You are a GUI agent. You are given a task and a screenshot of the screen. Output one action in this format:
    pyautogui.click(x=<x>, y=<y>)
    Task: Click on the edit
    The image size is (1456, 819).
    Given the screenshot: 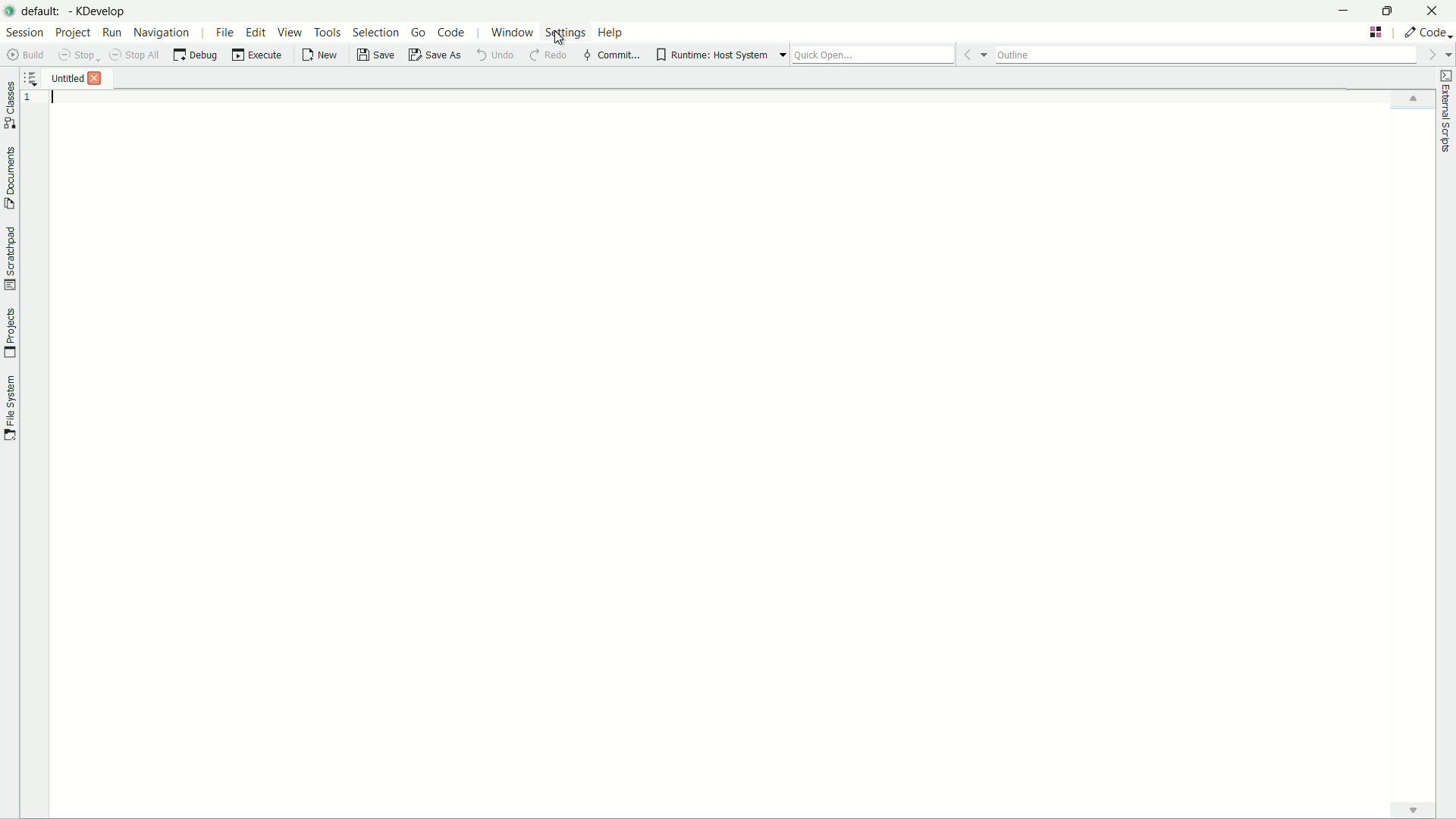 What is the action you would take?
    pyautogui.click(x=256, y=33)
    